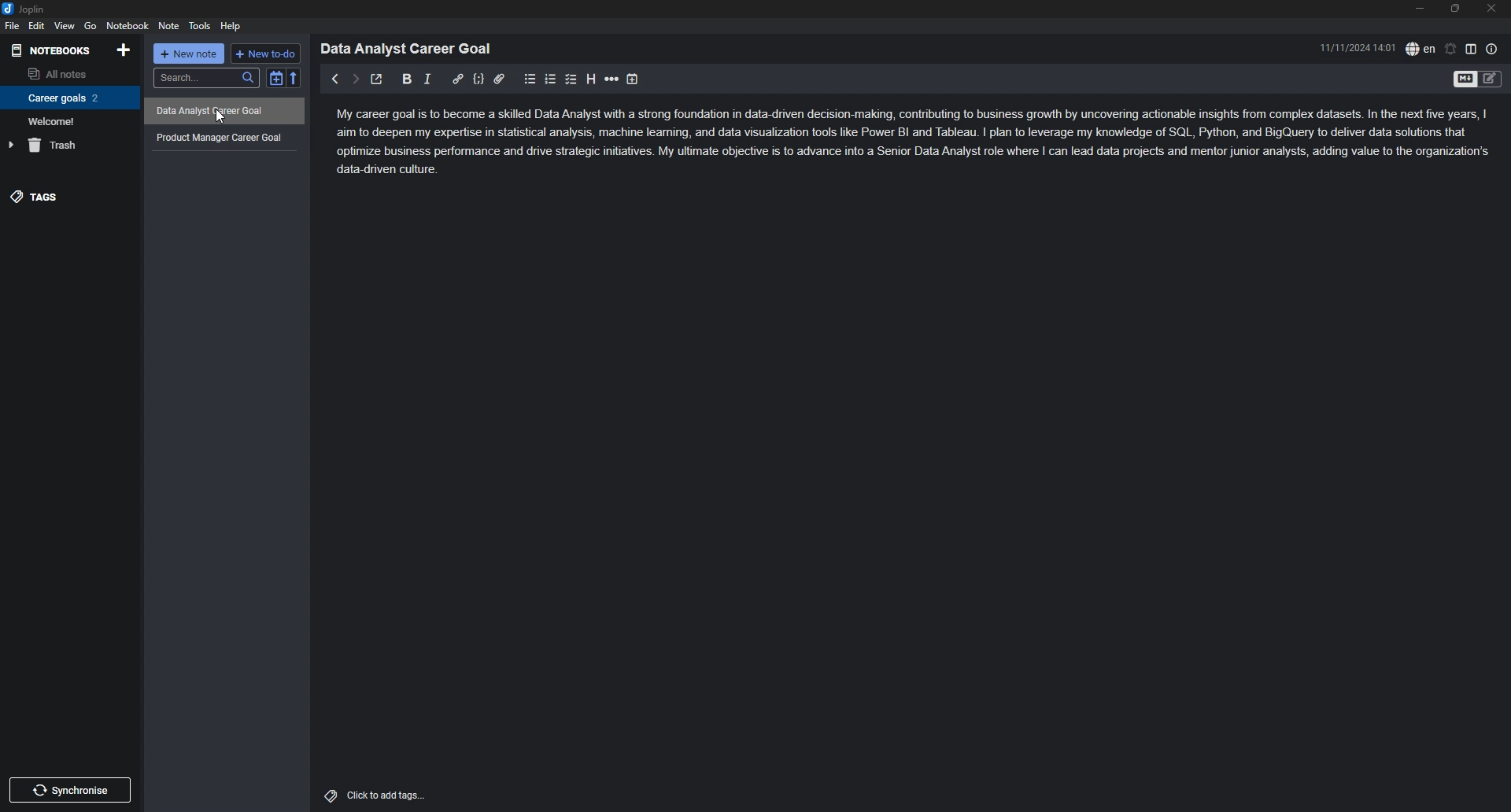 The image size is (1511, 812). Describe the element at coordinates (1419, 8) in the screenshot. I see `minimize` at that location.